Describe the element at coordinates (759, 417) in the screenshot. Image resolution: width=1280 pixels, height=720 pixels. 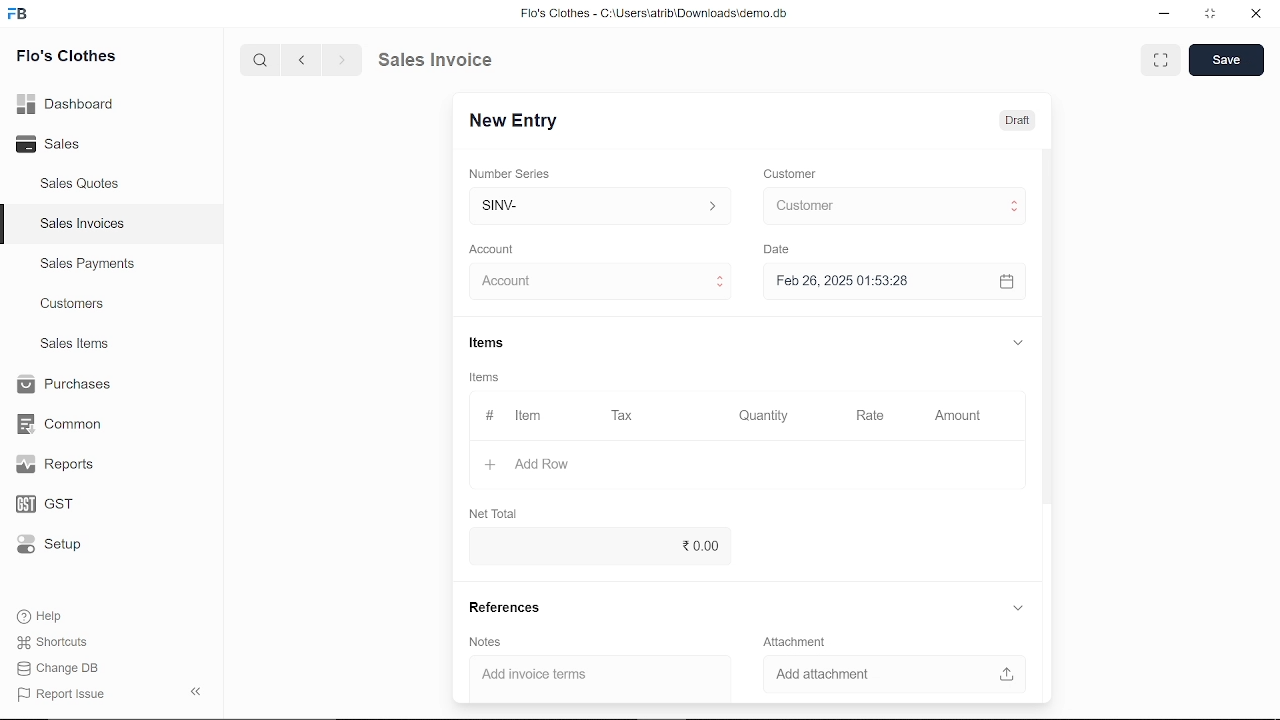
I see `Quantity` at that location.